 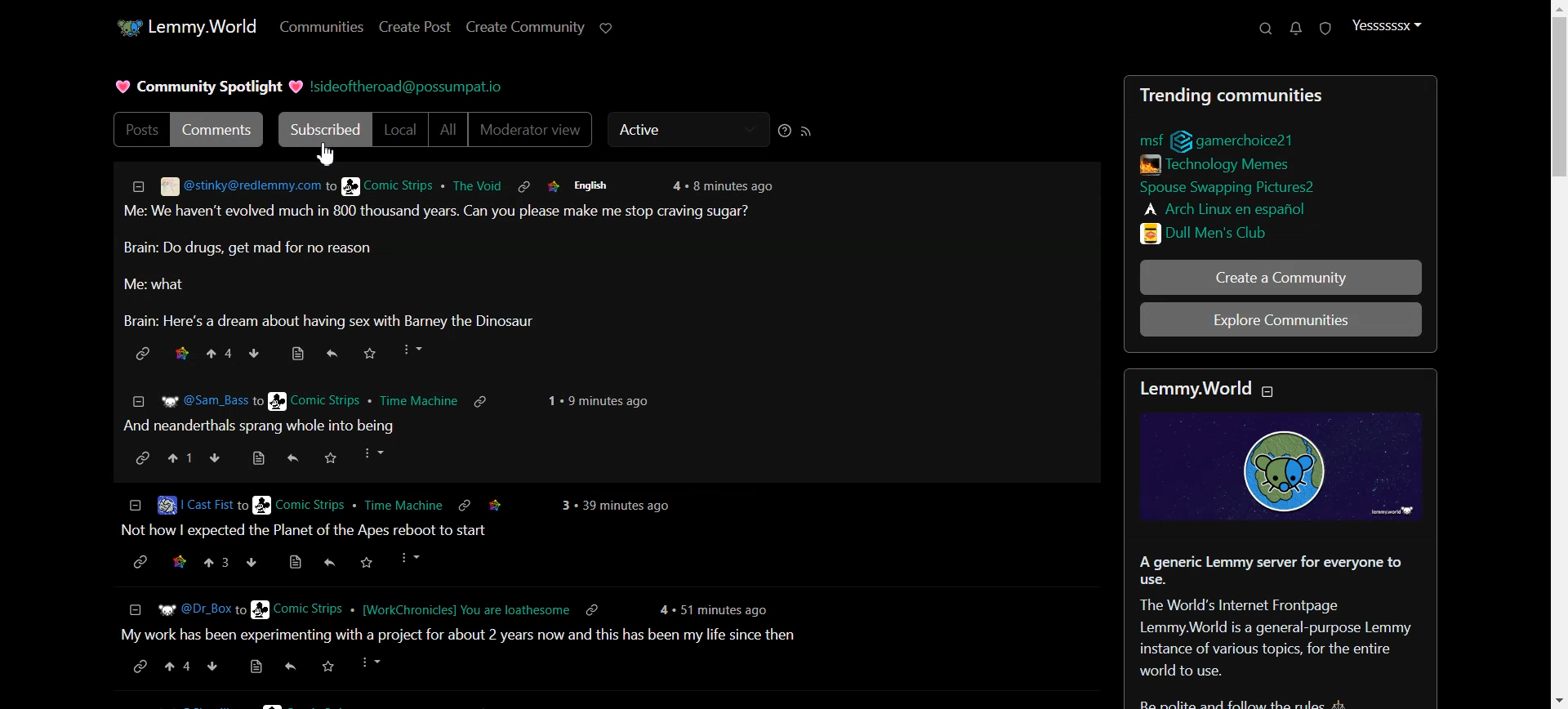 I want to click on Create Community, so click(x=525, y=27).